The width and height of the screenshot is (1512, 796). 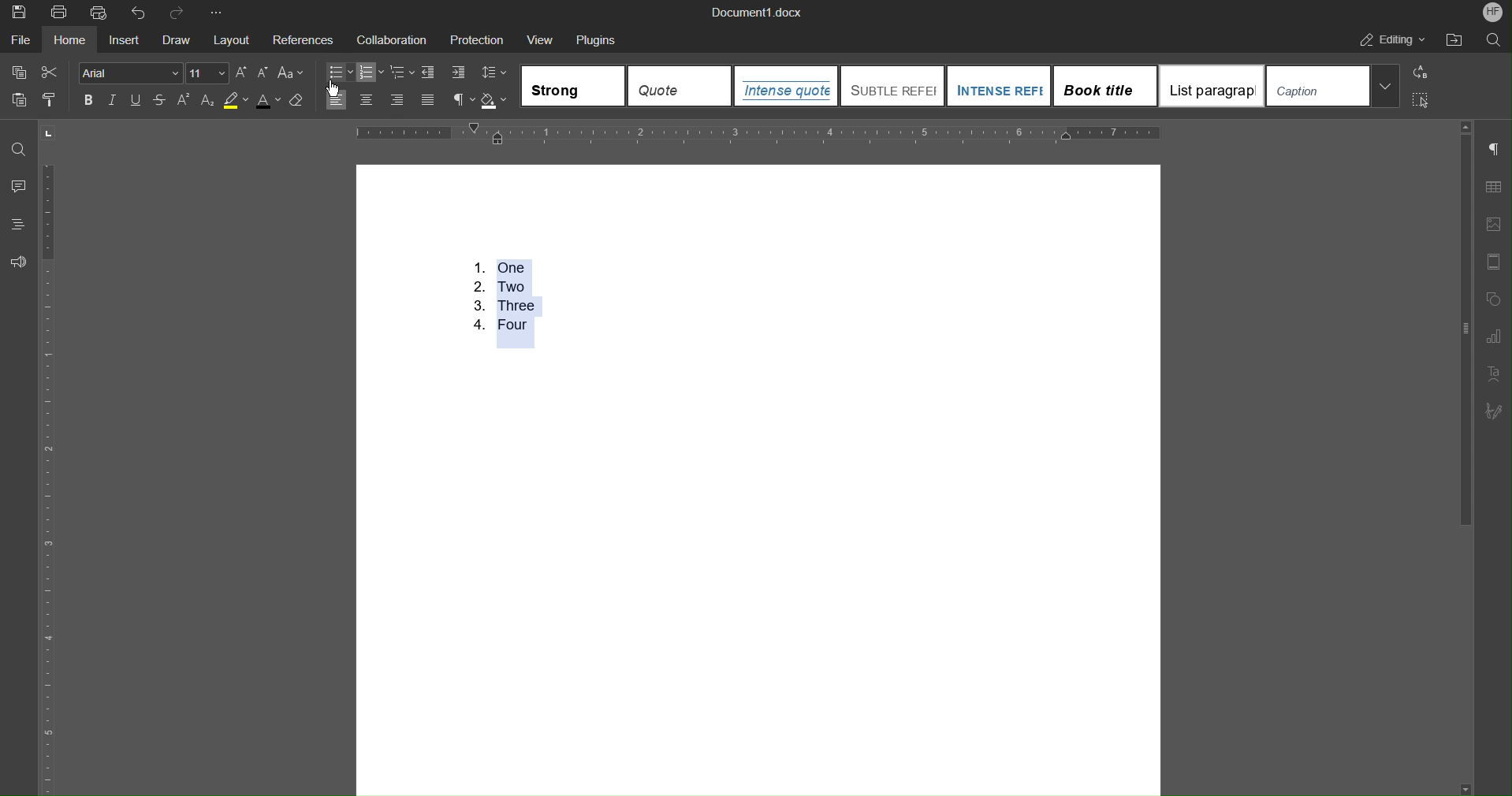 What do you see at coordinates (333, 100) in the screenshot?
I see `Left Align` at bounding box center [333, 100].